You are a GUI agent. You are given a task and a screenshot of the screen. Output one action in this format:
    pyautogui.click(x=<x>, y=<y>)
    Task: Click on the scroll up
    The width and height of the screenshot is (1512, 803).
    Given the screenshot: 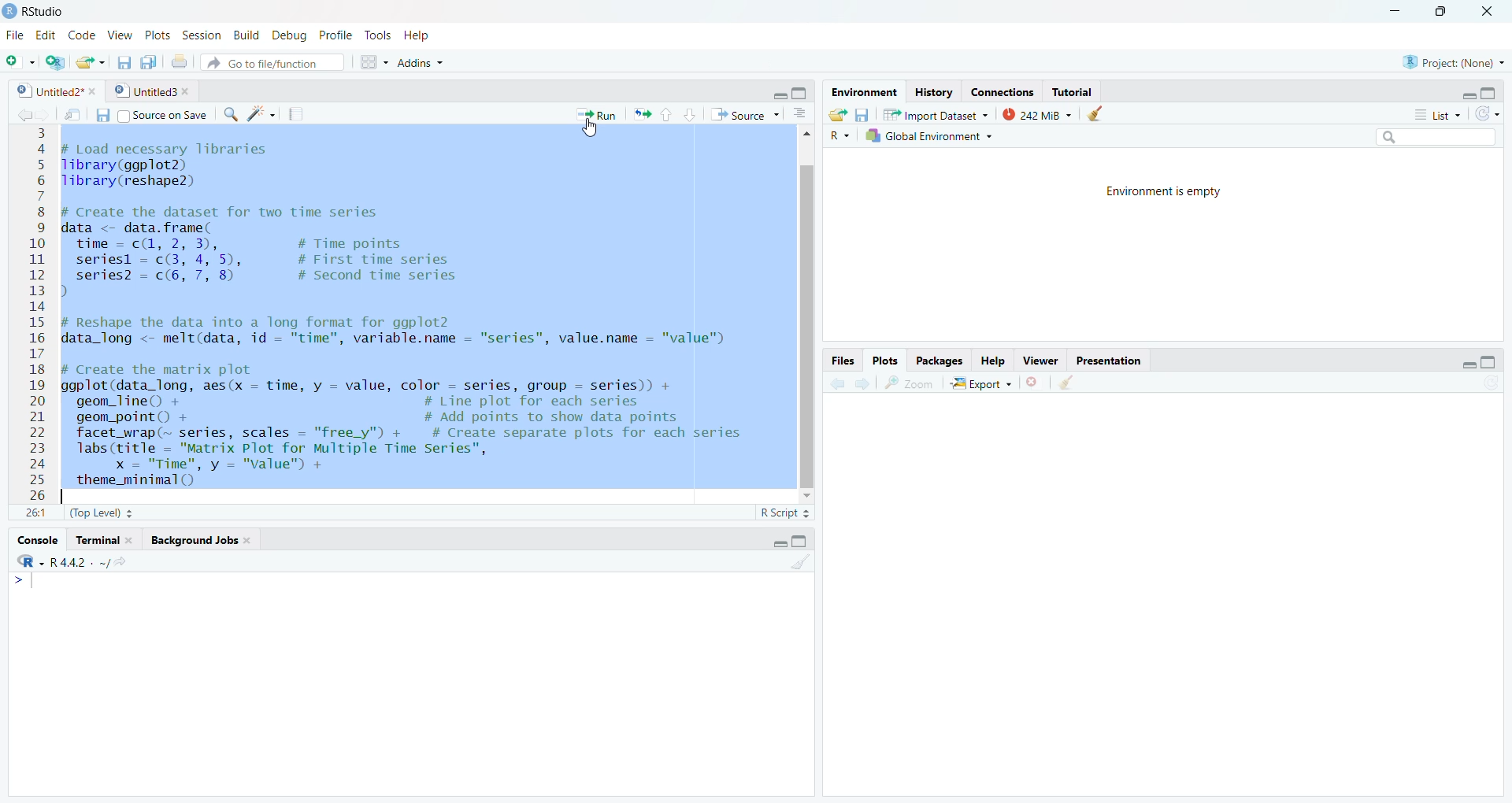 What is the action you would take?
    pyautogui.click(x=806, y=137)
    